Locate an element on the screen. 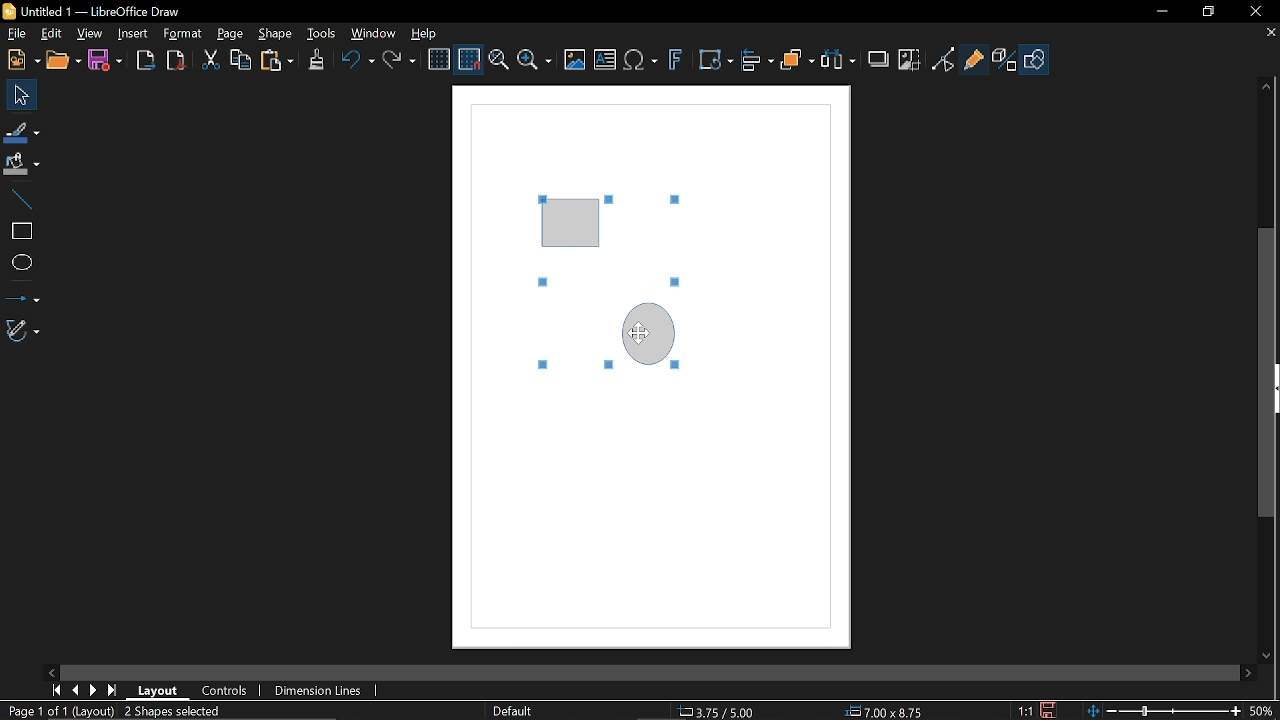  Slide master name is located at coordinates (517, 712).